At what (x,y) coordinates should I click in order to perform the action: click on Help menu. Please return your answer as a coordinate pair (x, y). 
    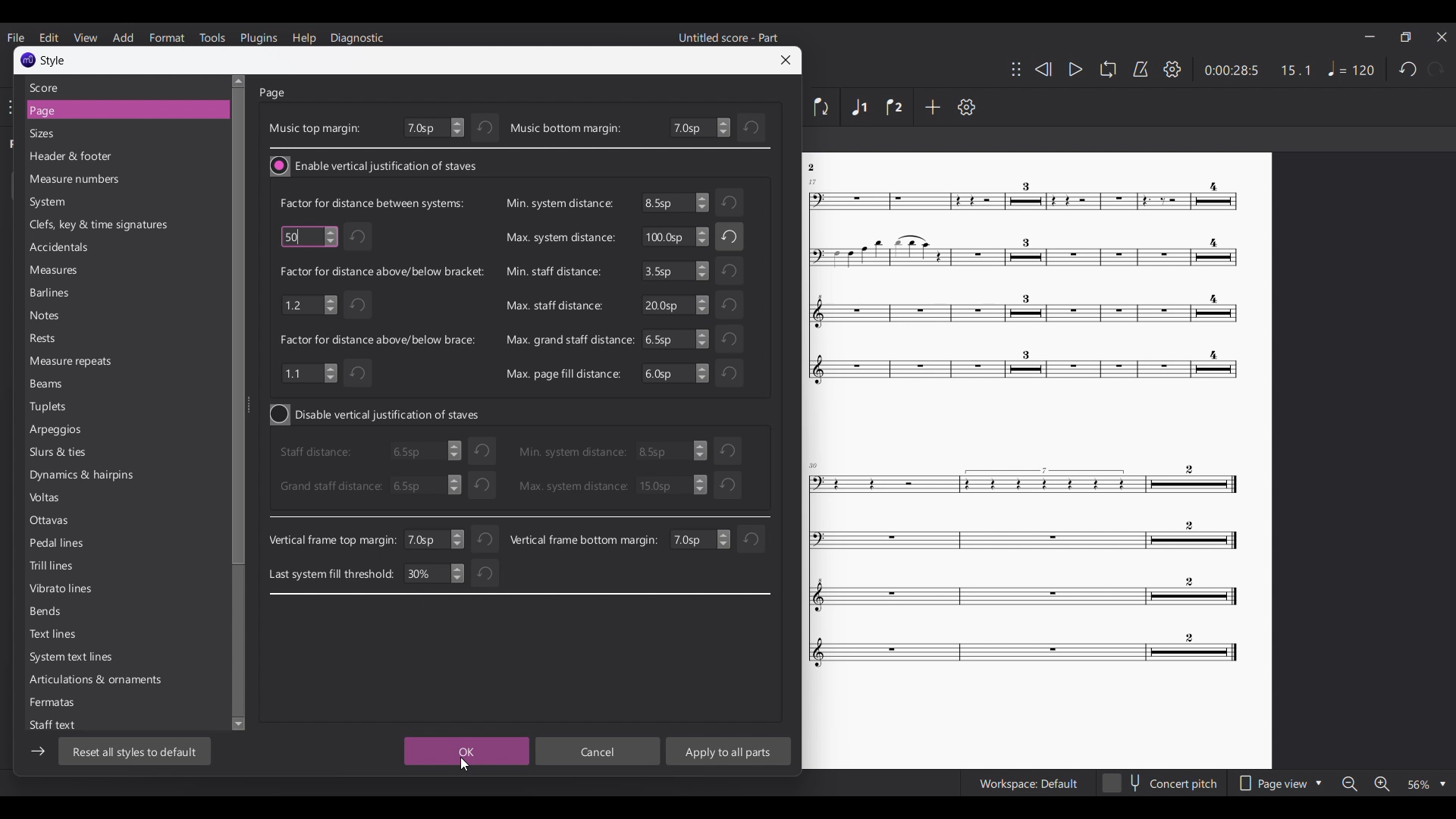
    Looking at the image, I should click on (303, 39).